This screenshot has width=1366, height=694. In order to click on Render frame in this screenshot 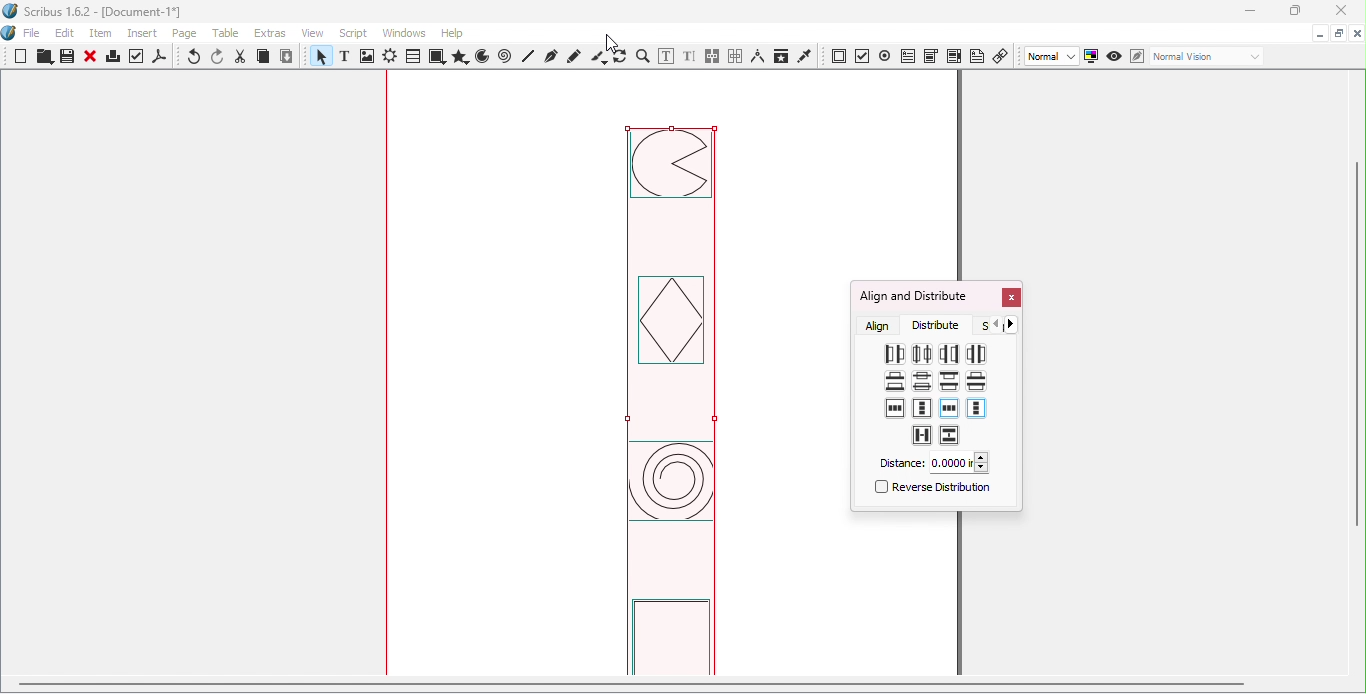, I will do `click(390, 58)`.